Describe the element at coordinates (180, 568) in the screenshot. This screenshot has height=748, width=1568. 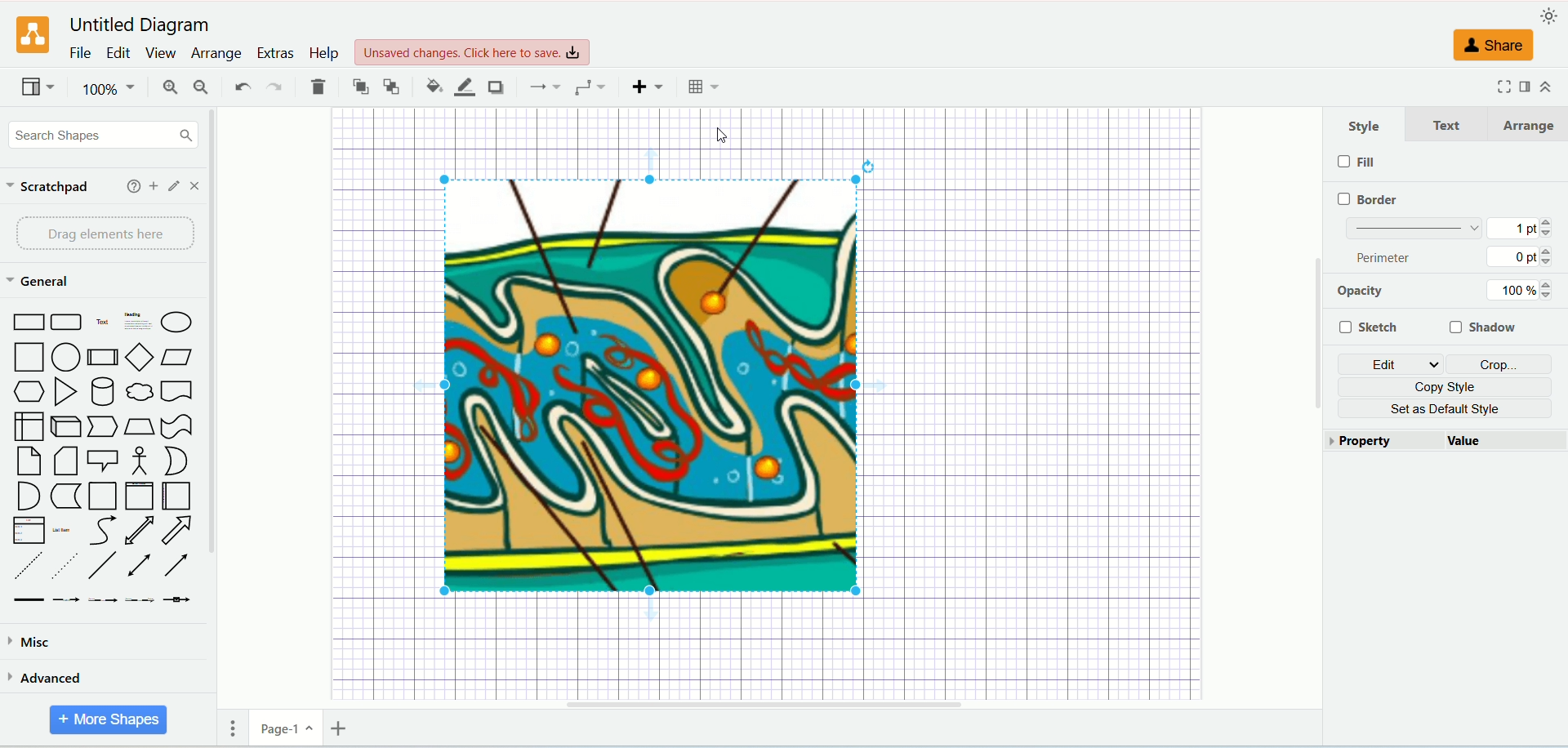
I see `Directional Connector` at that location.